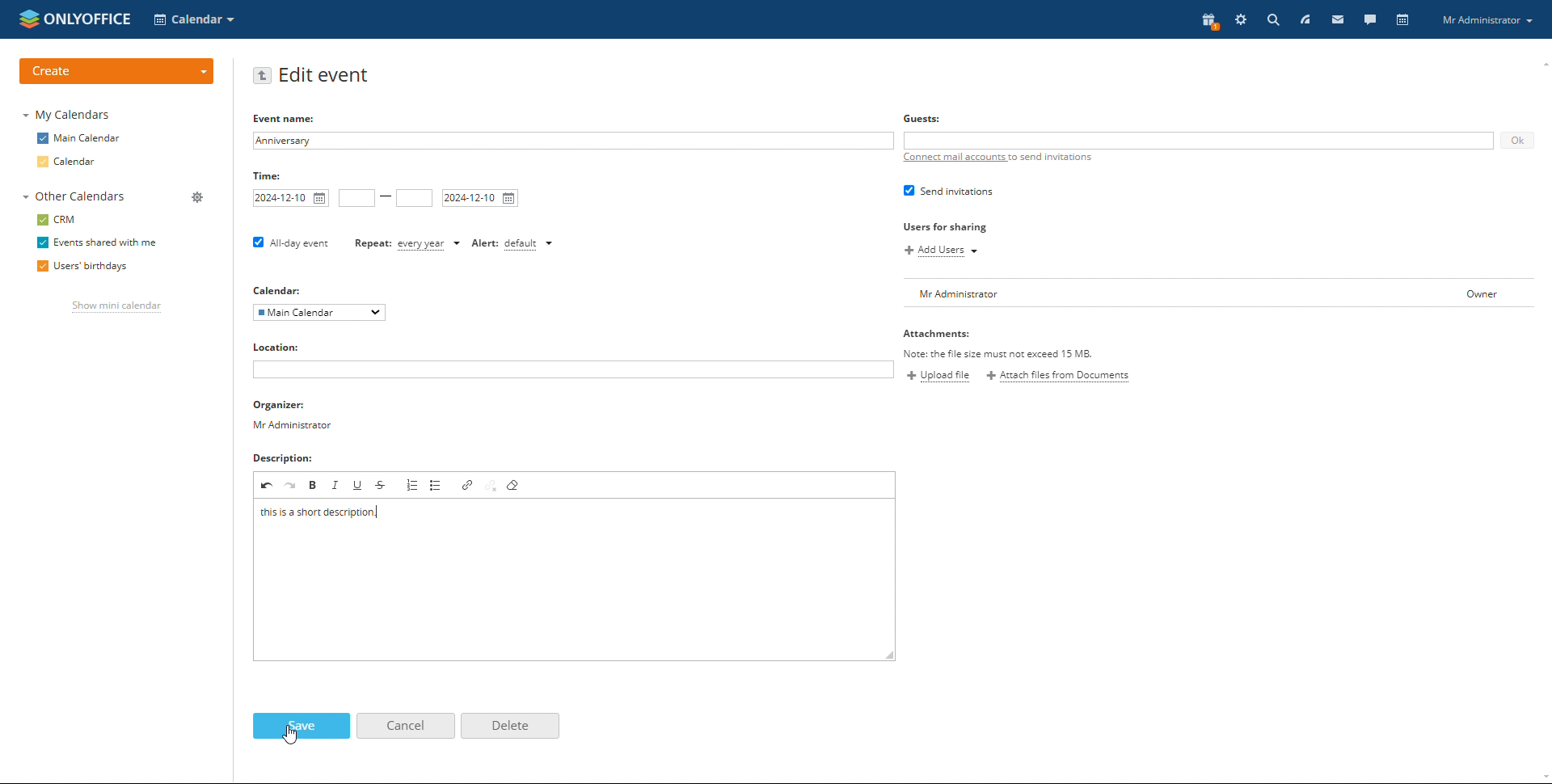  I want to click on remove format, so click(514, 484).